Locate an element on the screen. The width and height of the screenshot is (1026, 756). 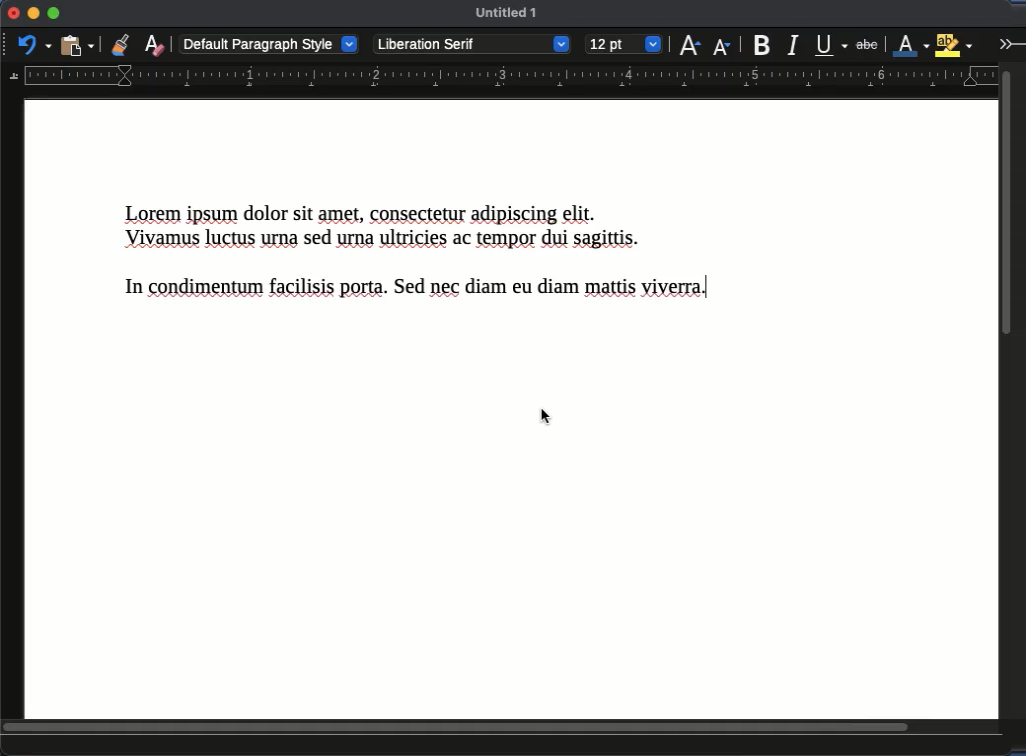
scroll is located at coordinates (1012, 389).